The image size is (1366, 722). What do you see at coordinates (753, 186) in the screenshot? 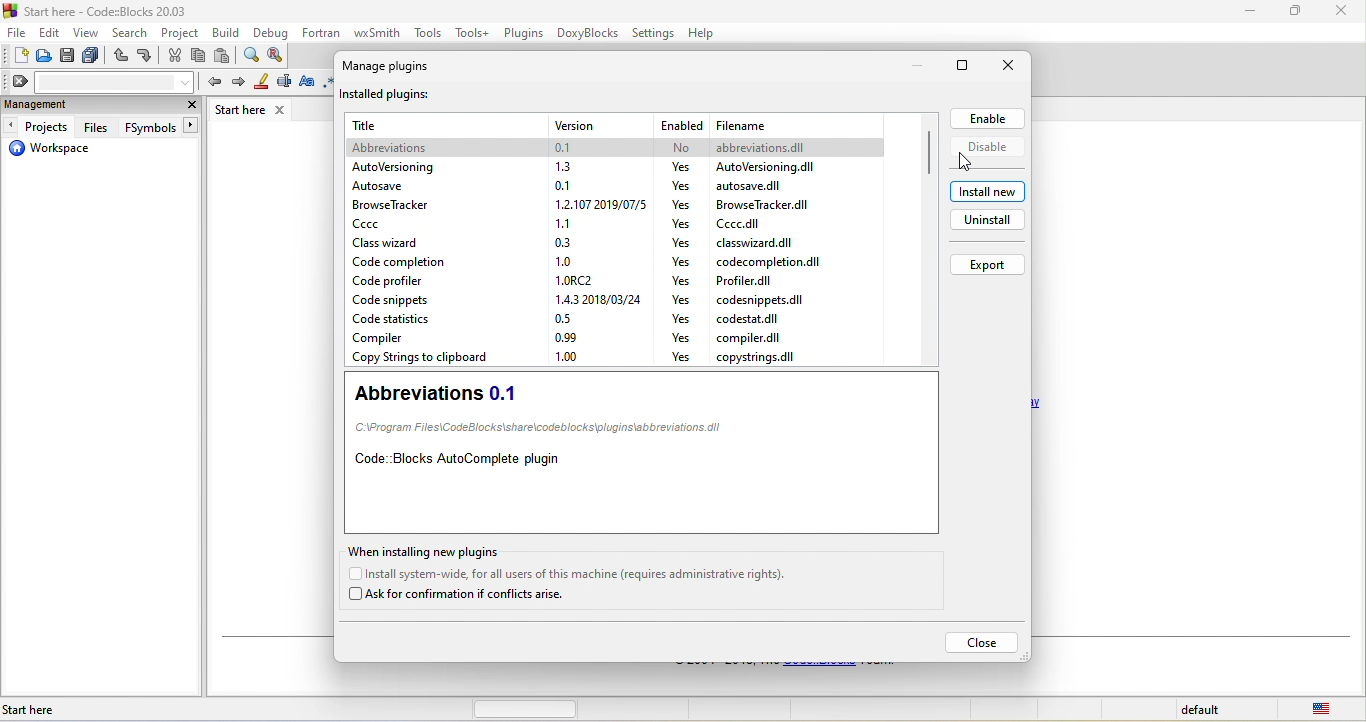
I see `file` at bounding box center [753, 186].